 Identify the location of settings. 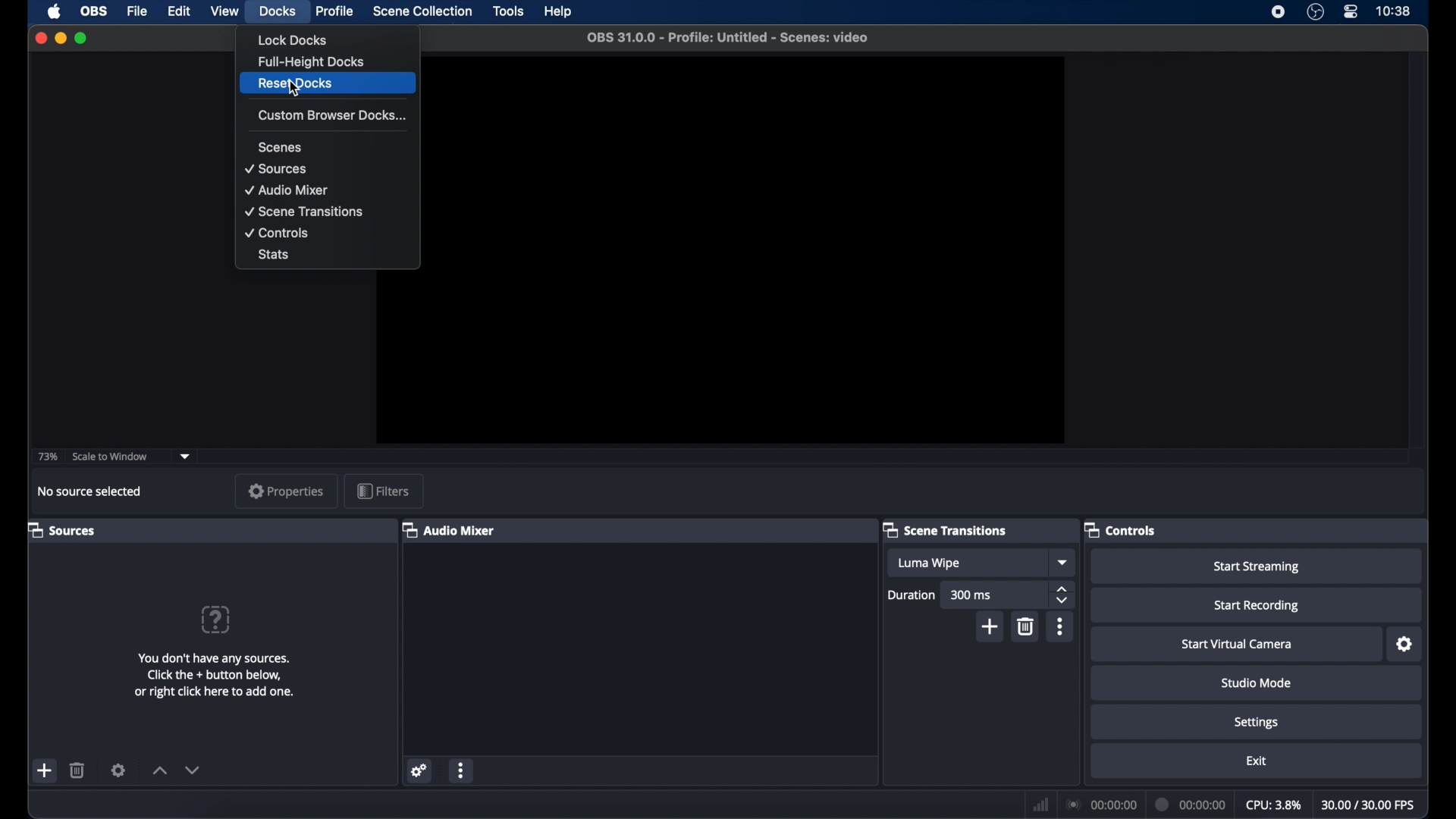
(1256, 723).